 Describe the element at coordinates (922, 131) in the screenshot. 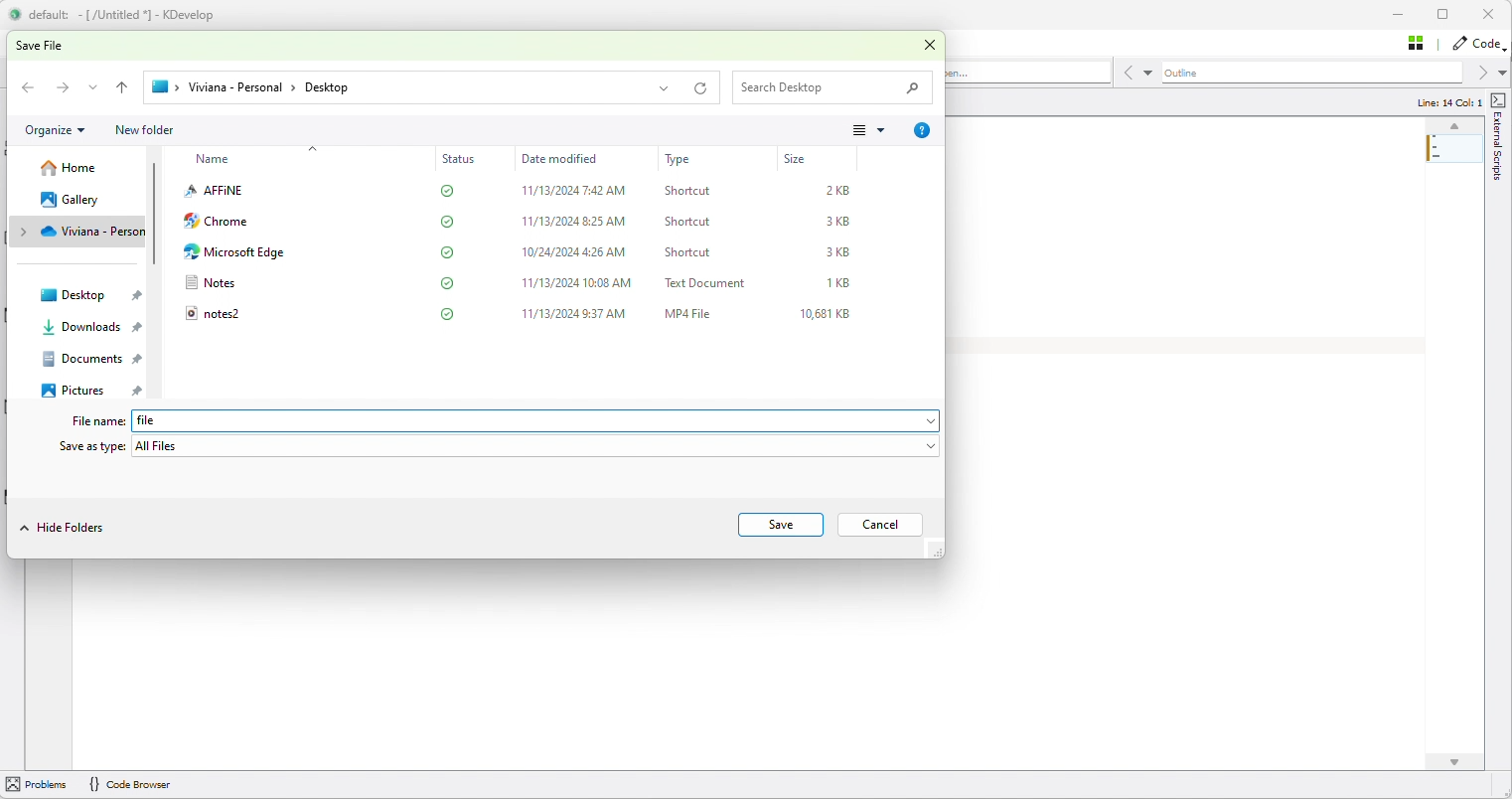

I see `Info` at that location.